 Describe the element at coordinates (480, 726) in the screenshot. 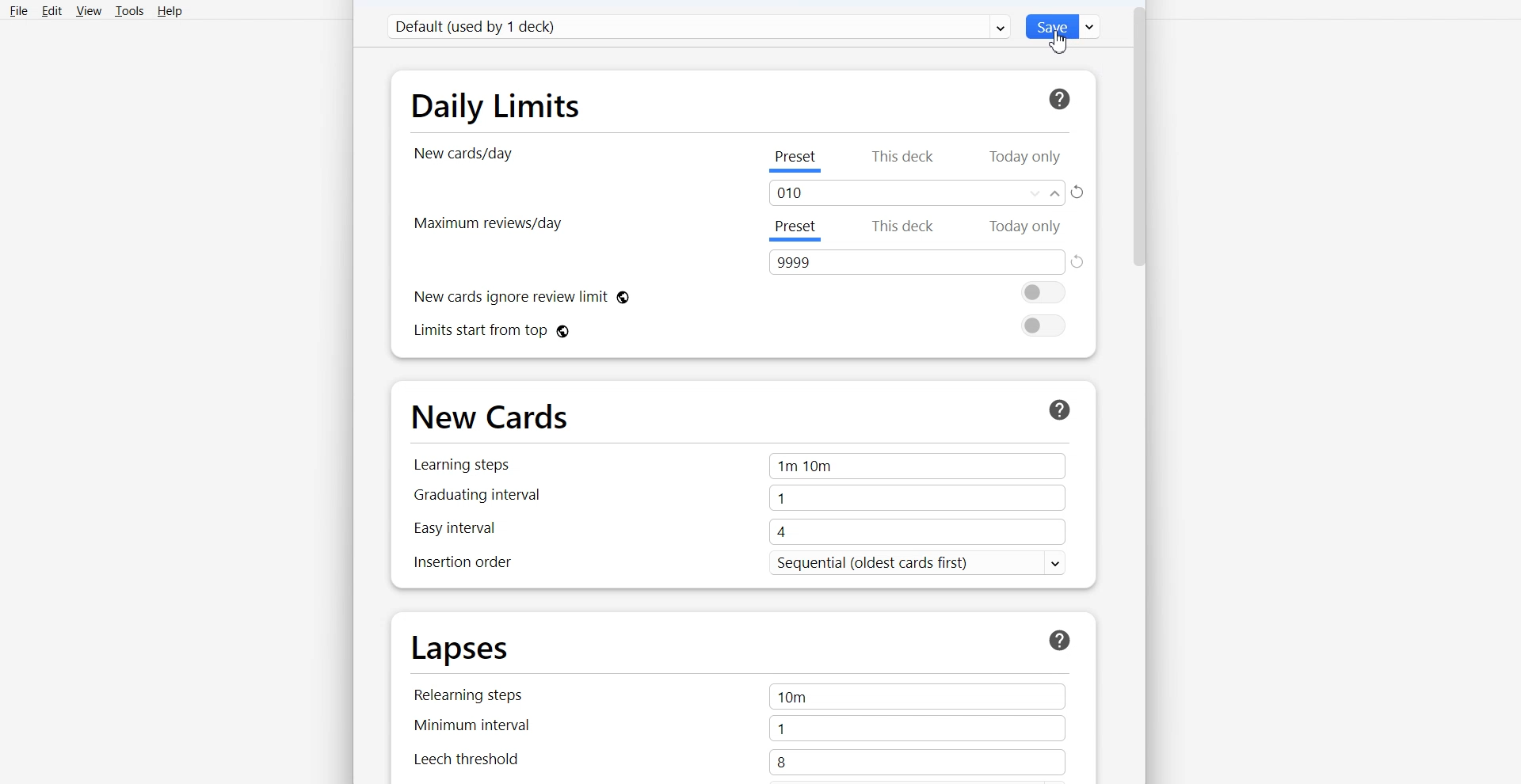

I see `Minimum interval` at that location.